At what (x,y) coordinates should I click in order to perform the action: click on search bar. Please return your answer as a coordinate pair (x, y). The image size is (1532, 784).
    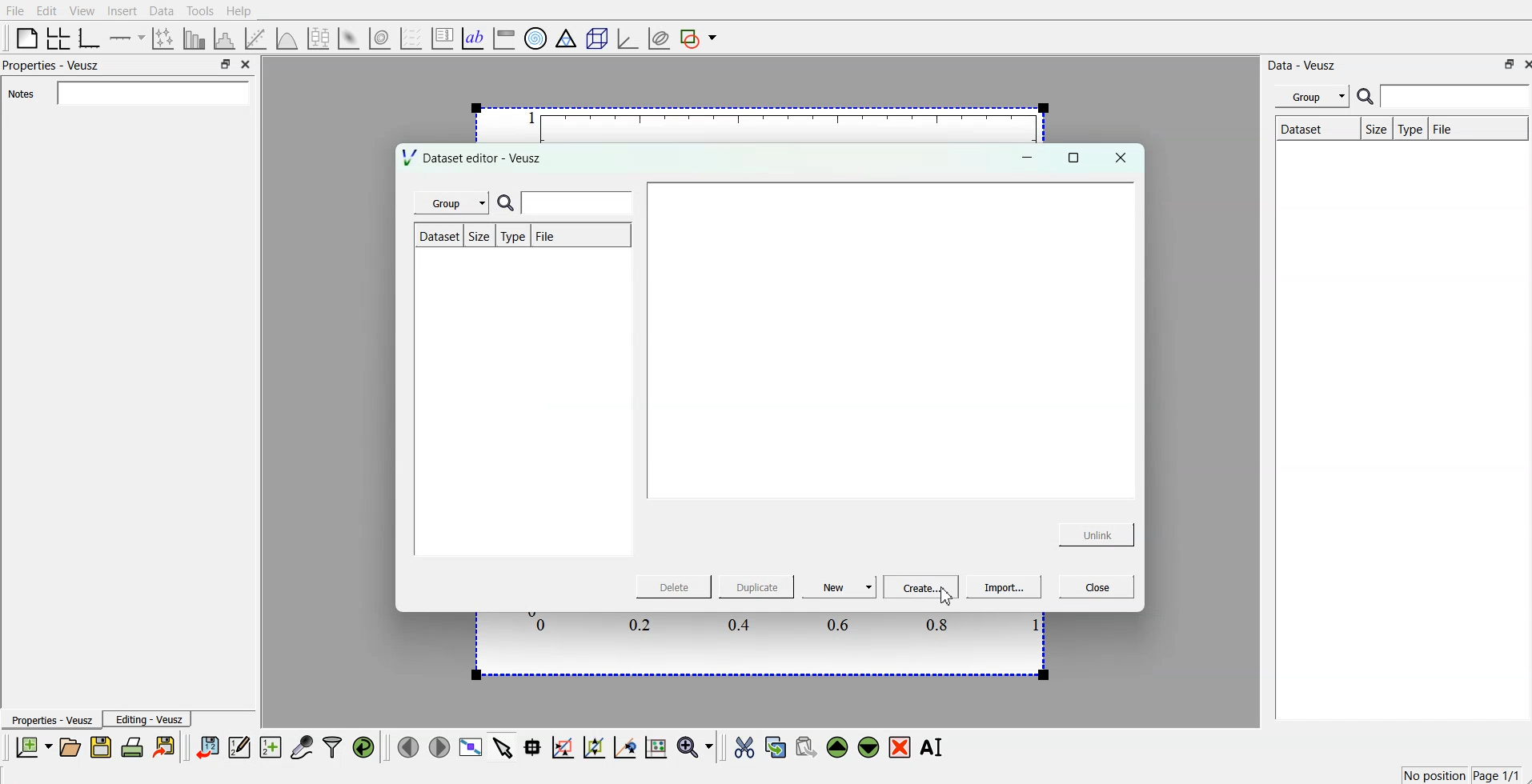
    Looking at the image, I should click on (570, 203).